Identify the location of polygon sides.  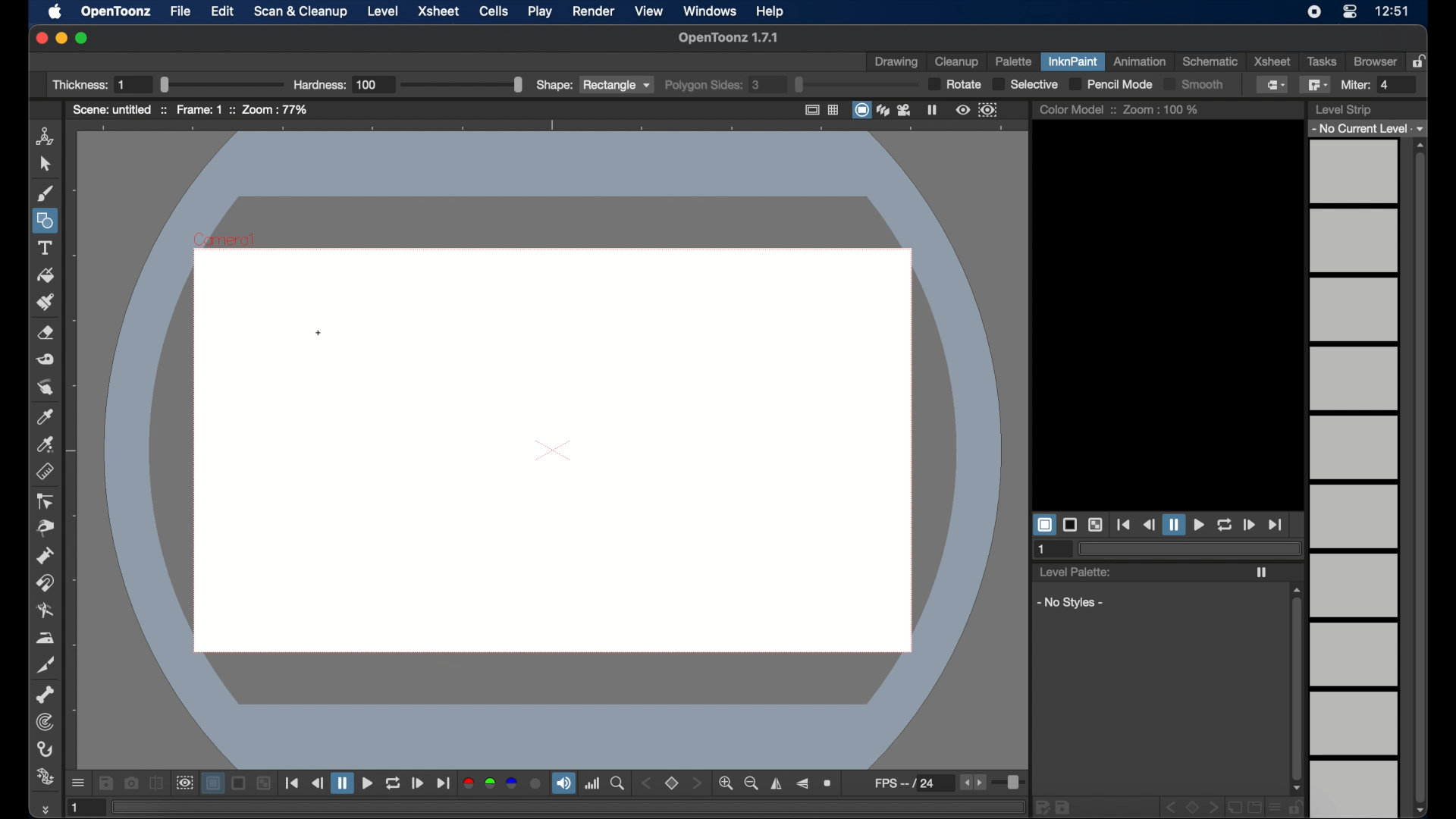
(789, 85).